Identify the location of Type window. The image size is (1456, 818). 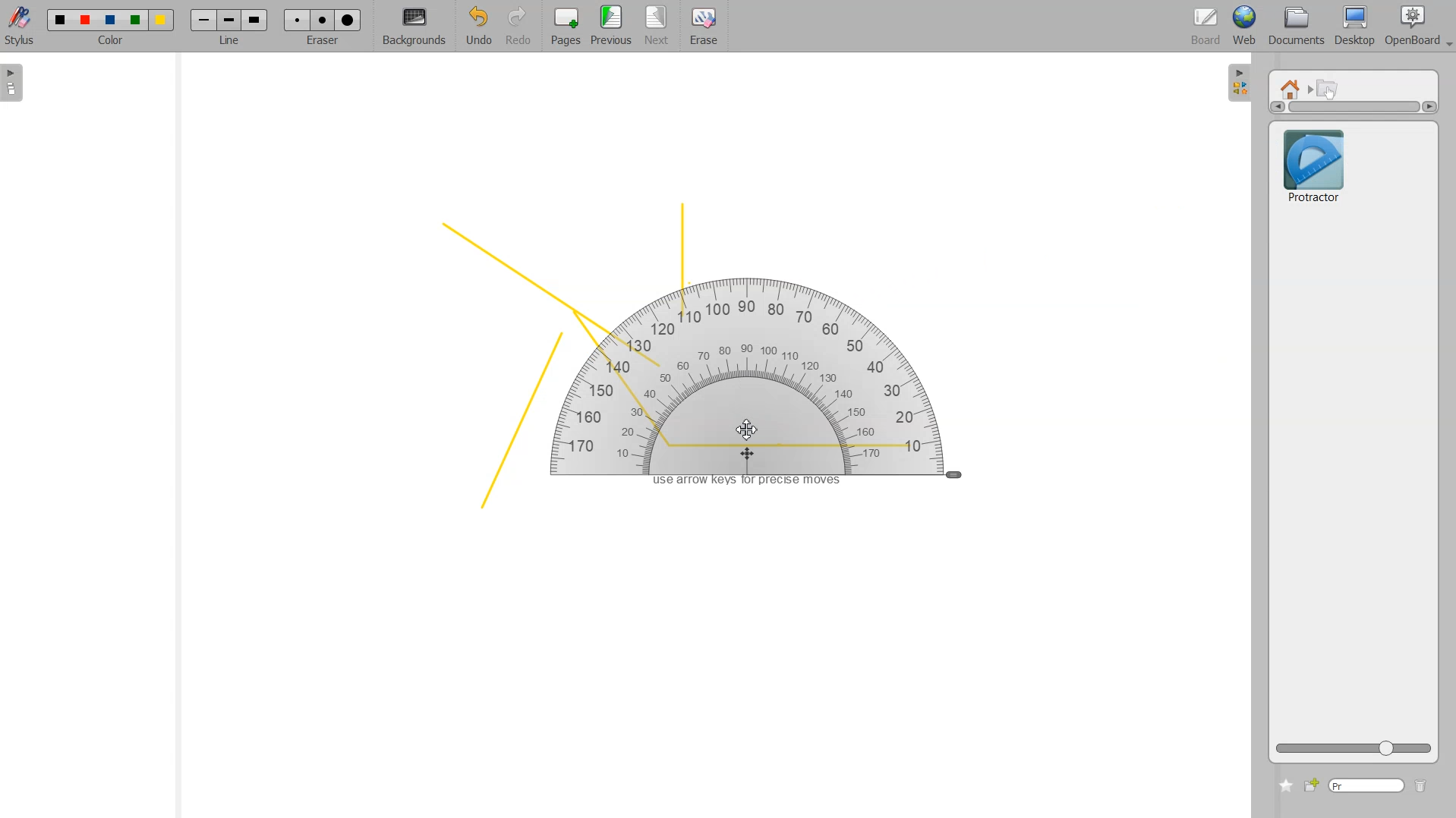
(1366, 786).